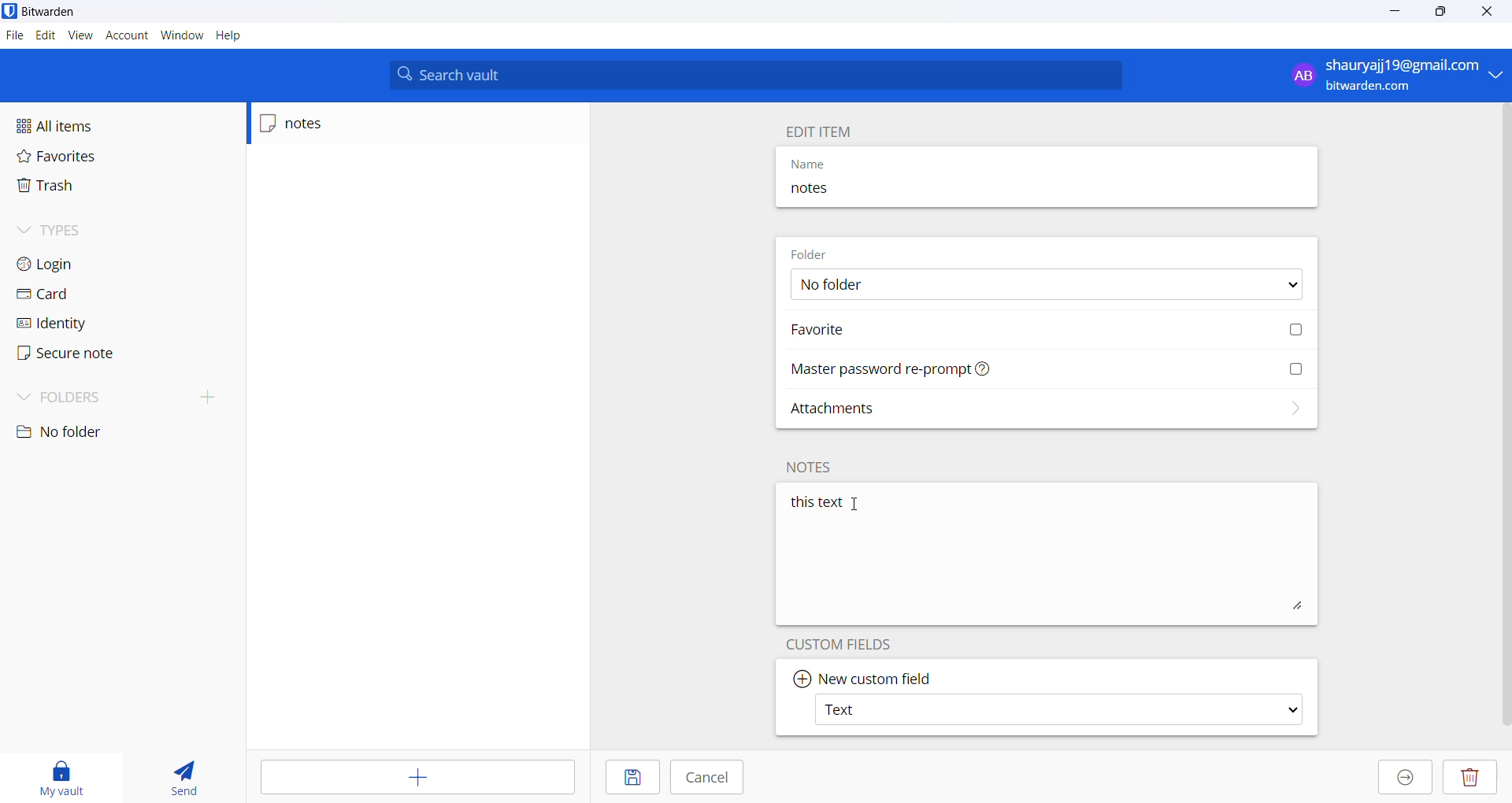  I want to click on save, so click(631, 777).